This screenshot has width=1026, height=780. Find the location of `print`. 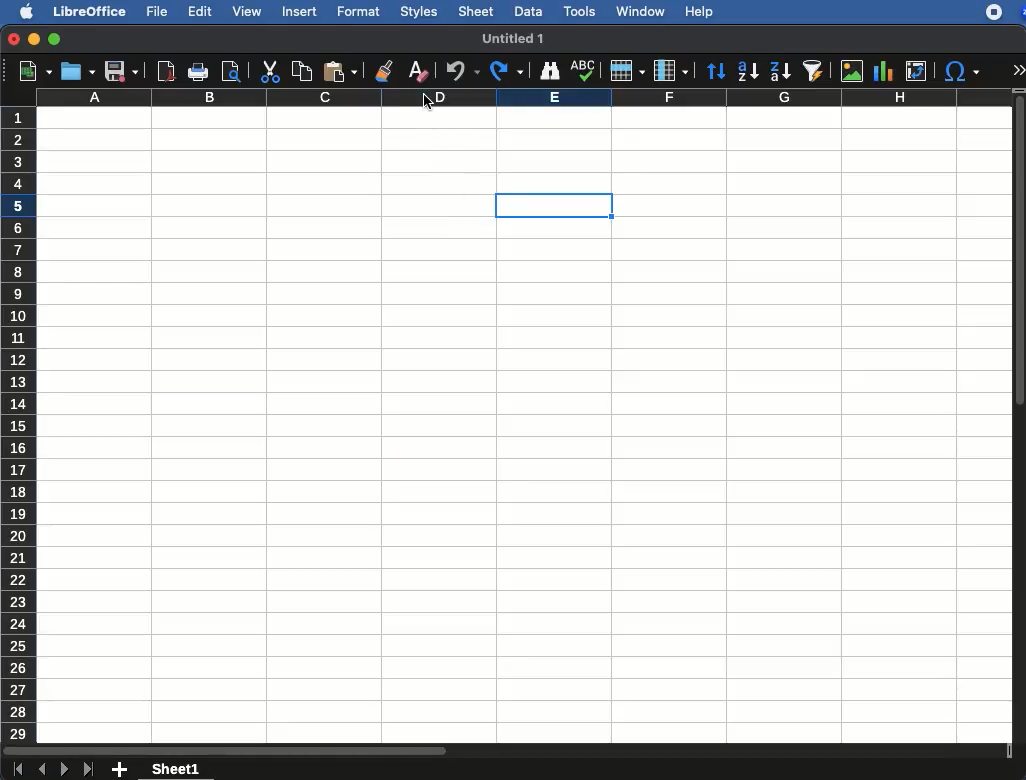

print is located at coordinates (199, 71).